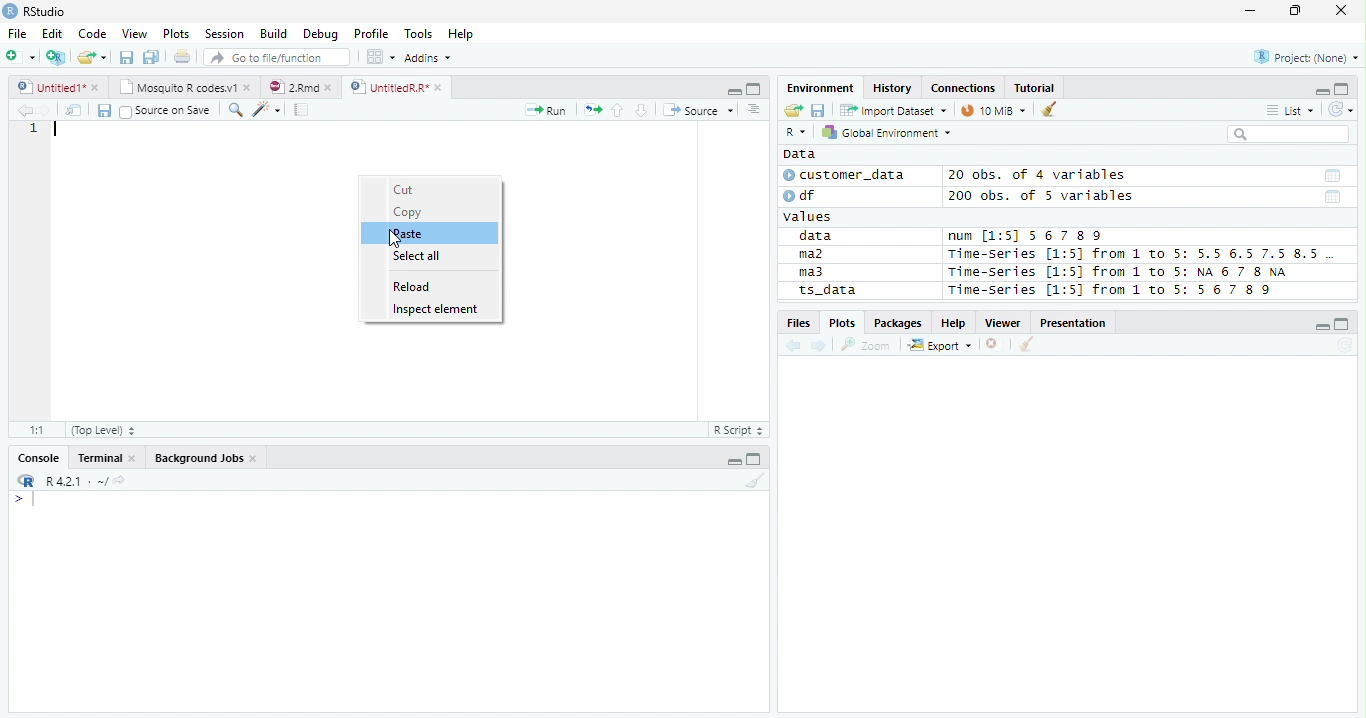  Describe the element at coordinates (106, 460) in the screenshot. I see `Terminal` at that location.